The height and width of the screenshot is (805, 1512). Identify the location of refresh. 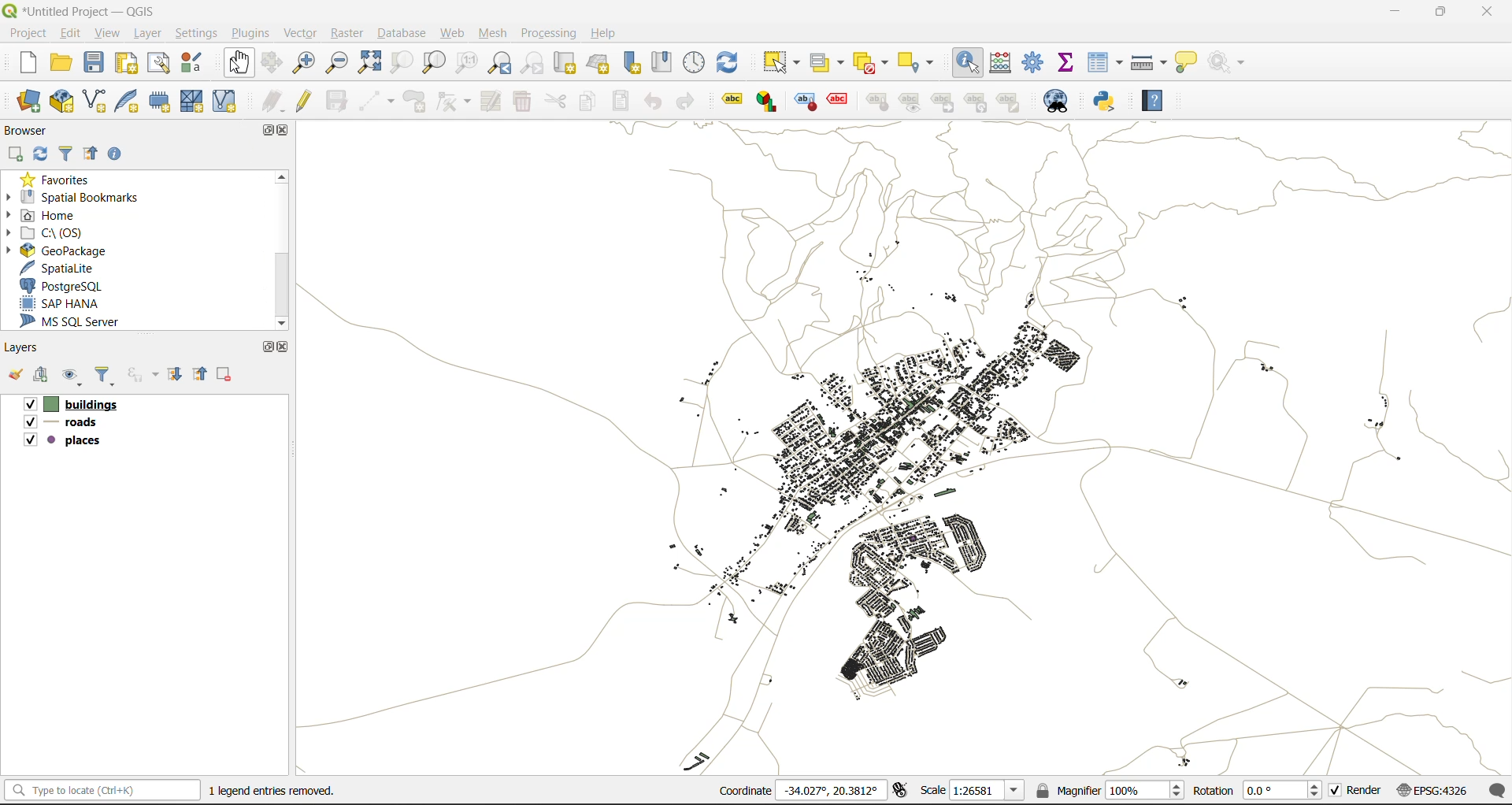
(40, 154).